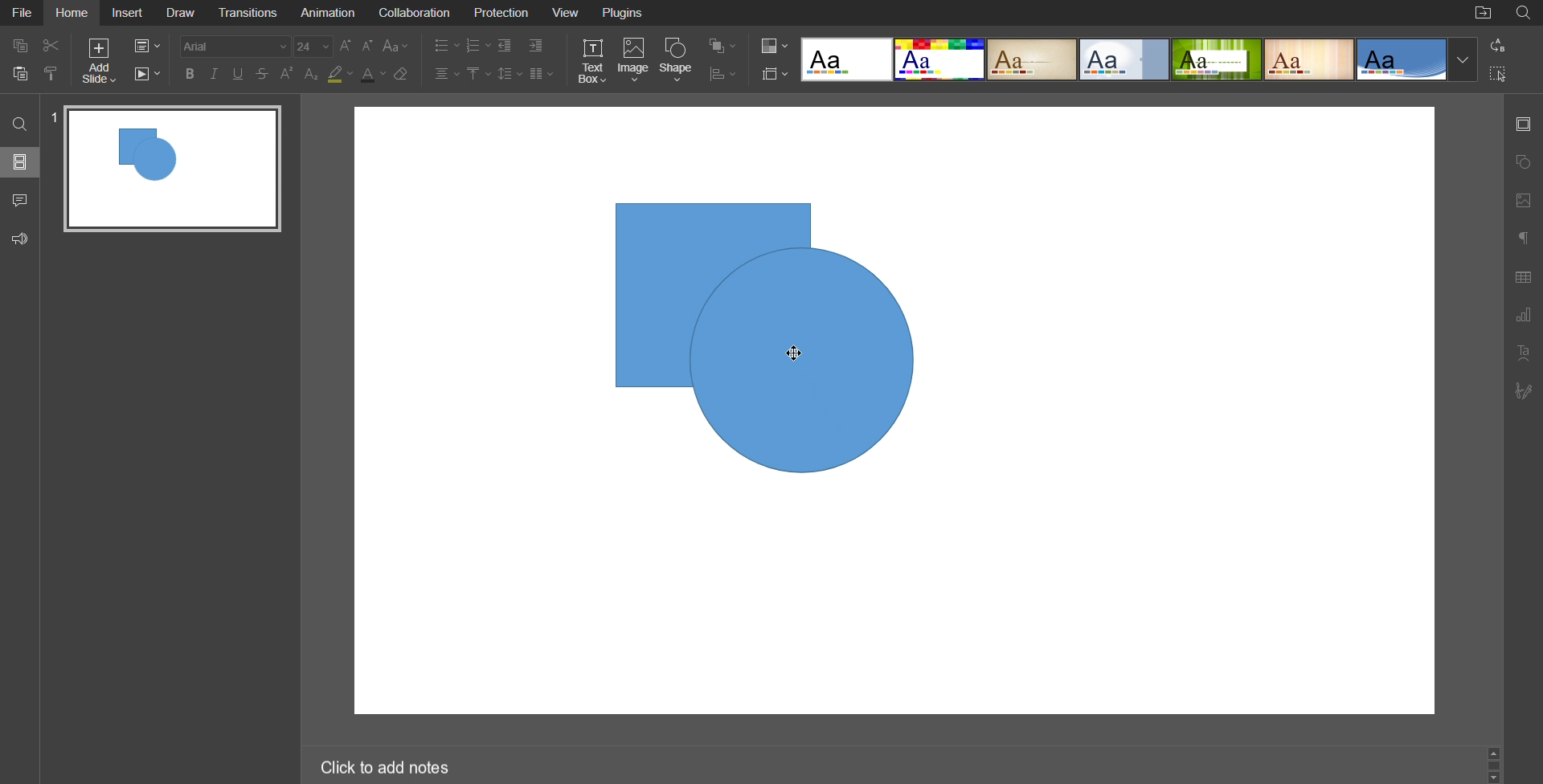 The image size is (1543, 784). What do you see at coordinates (18, 123) in the screenshot?
I see `Search` at bounding box center [18, 123].